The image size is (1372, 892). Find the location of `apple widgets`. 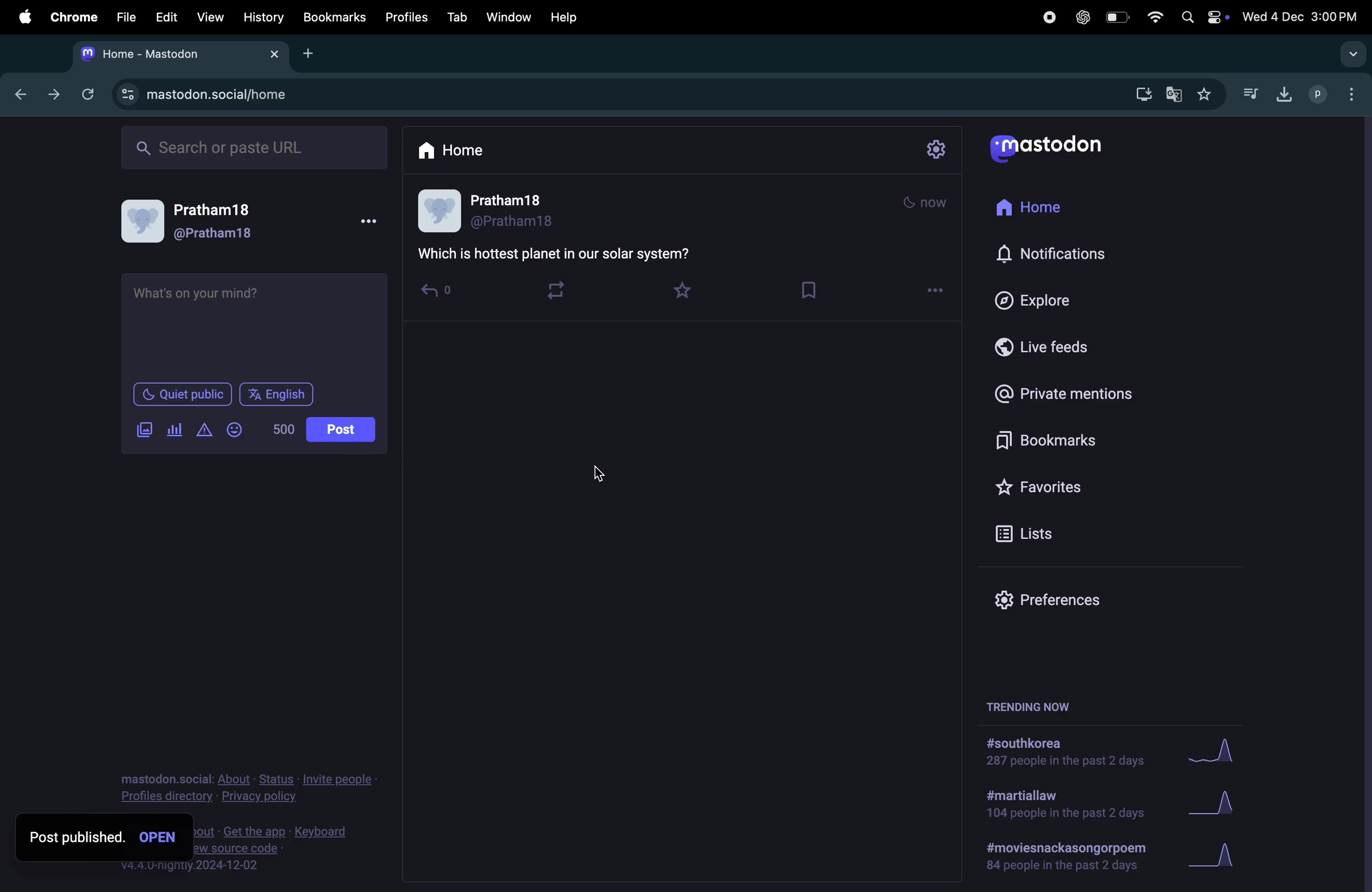

apple widgets is located at coordinates (1201, 19).